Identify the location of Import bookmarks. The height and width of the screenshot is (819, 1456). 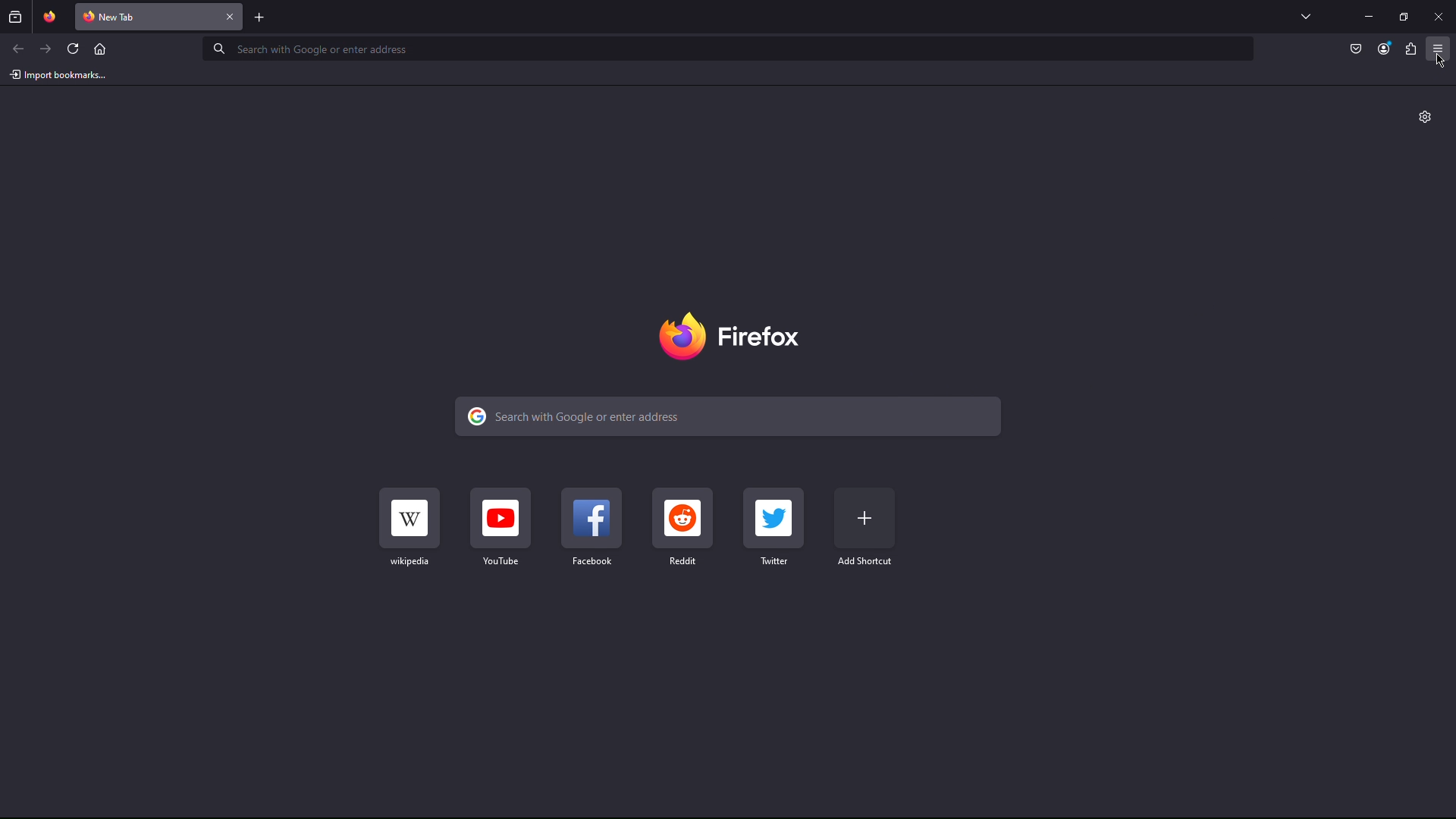
(58, 74).